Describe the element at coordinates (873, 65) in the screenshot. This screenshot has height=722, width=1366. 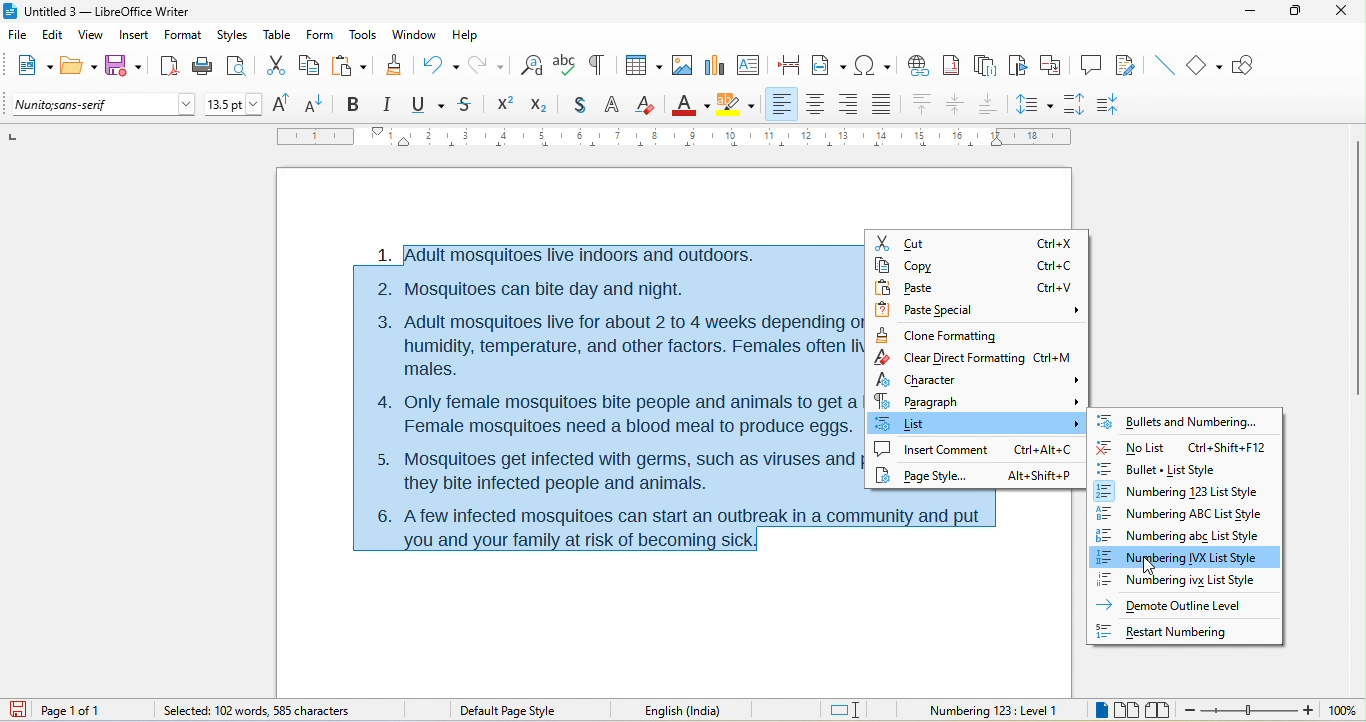
I see `special character` at that location.